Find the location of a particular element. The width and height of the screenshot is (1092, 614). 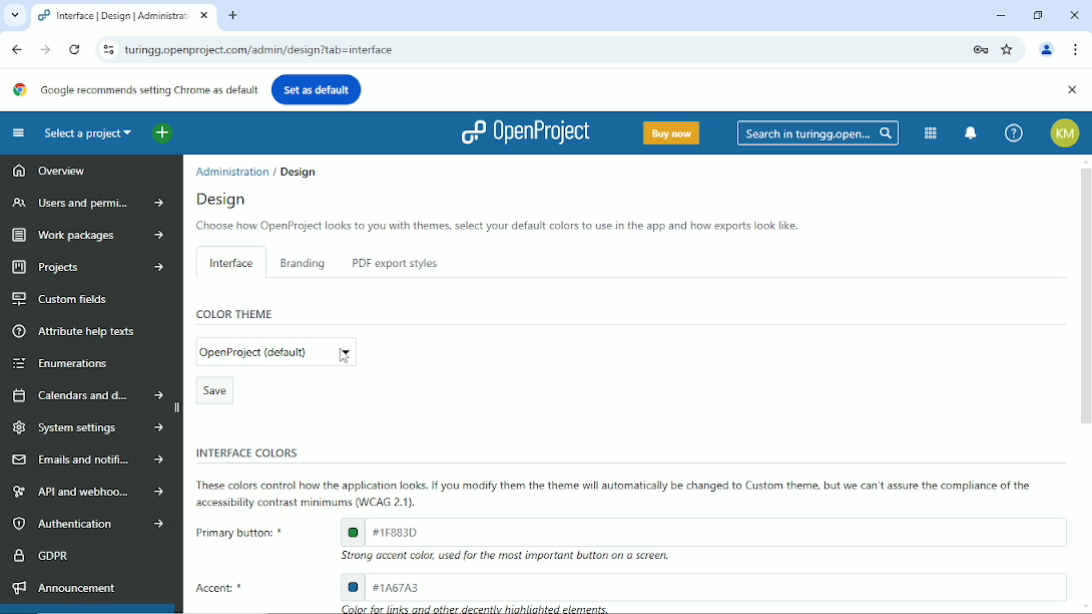

Reload this page is located at coordinates (74, 50).